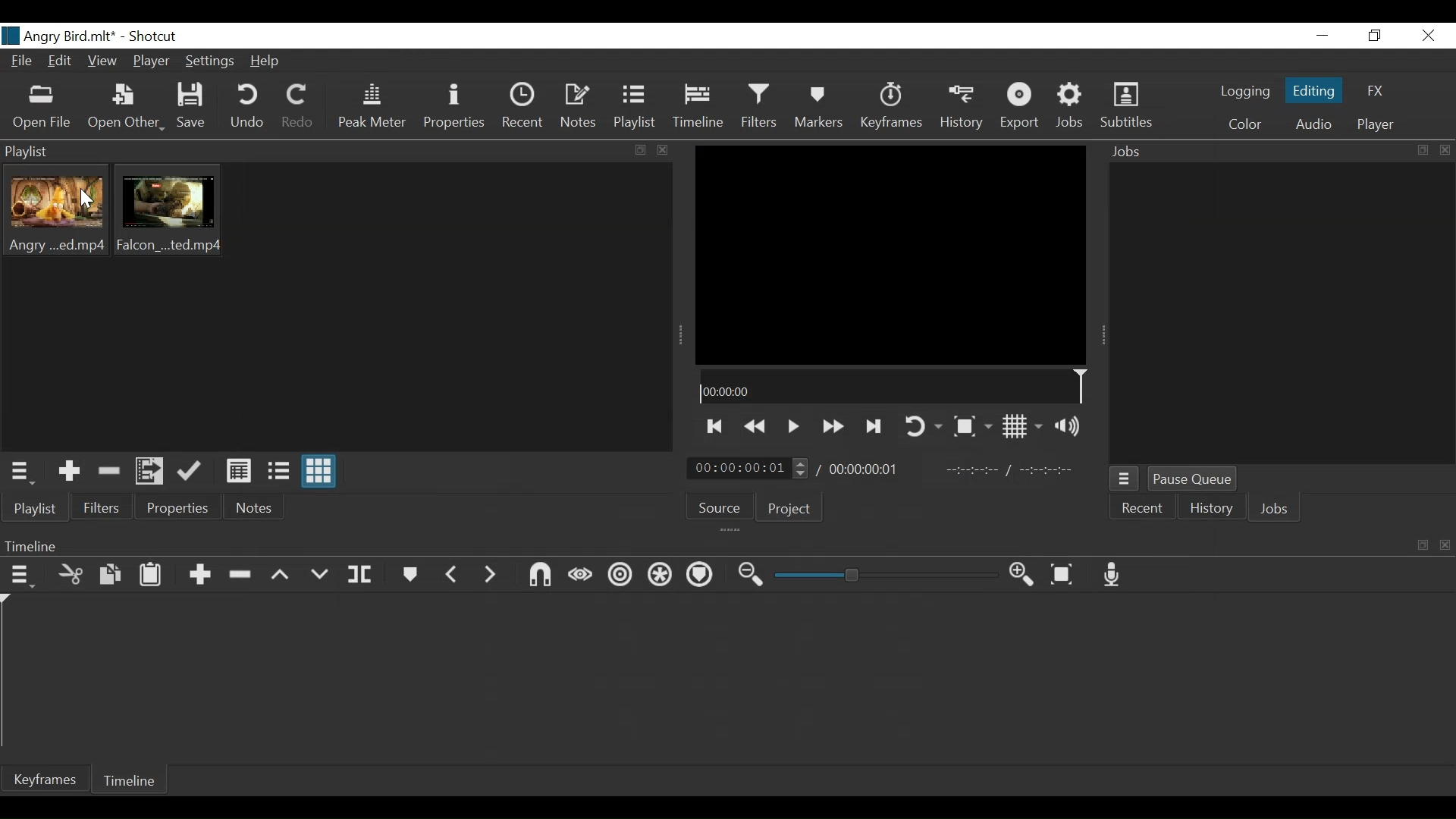 Image resolution: width=1456 pixels, height=819 pixels. What do you see at coordinates (319, 472) in the screenshot?
I see `View as Icon` at bounding box center [319, 472].